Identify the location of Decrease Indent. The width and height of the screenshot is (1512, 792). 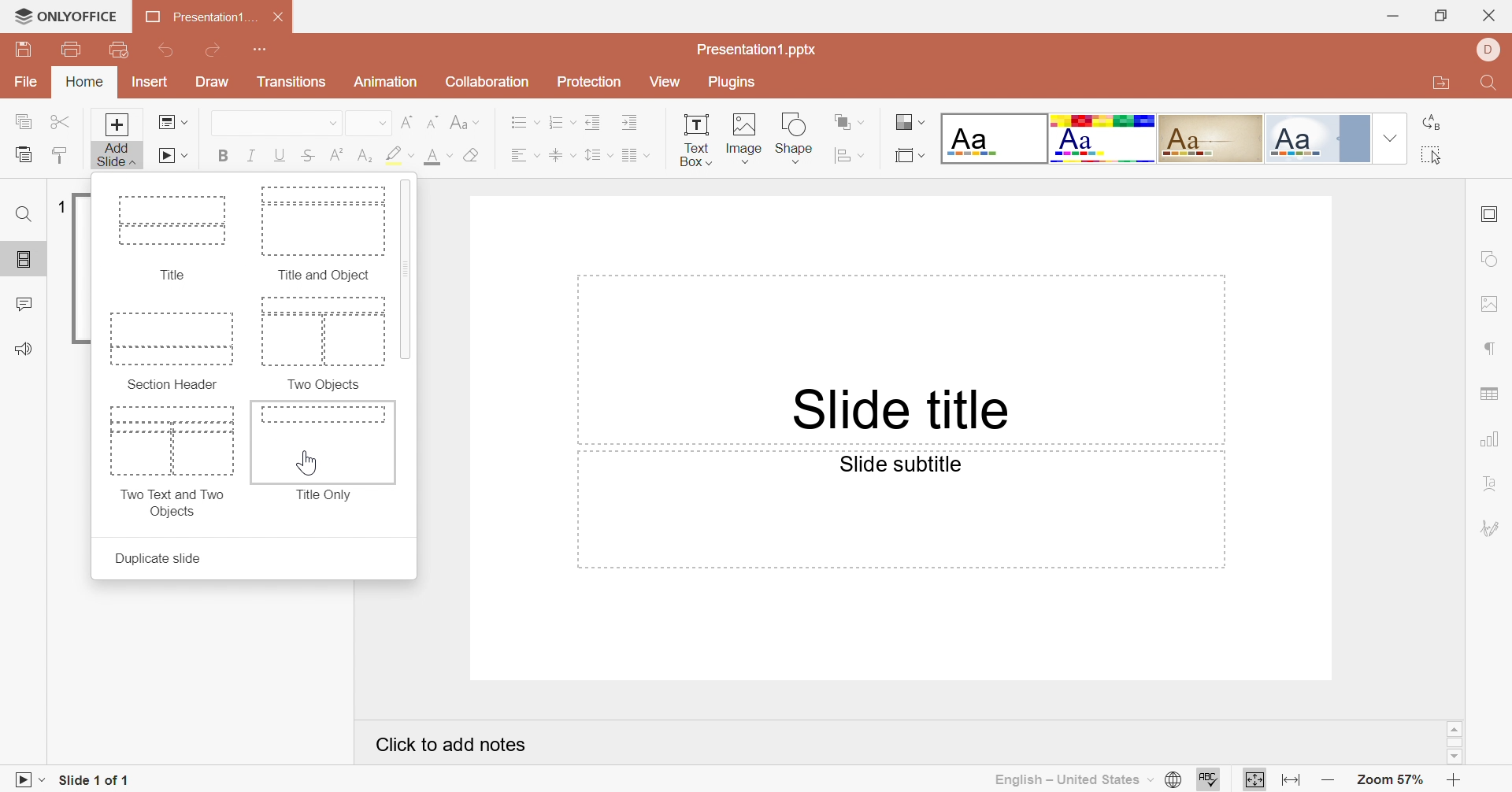
(595, 121).